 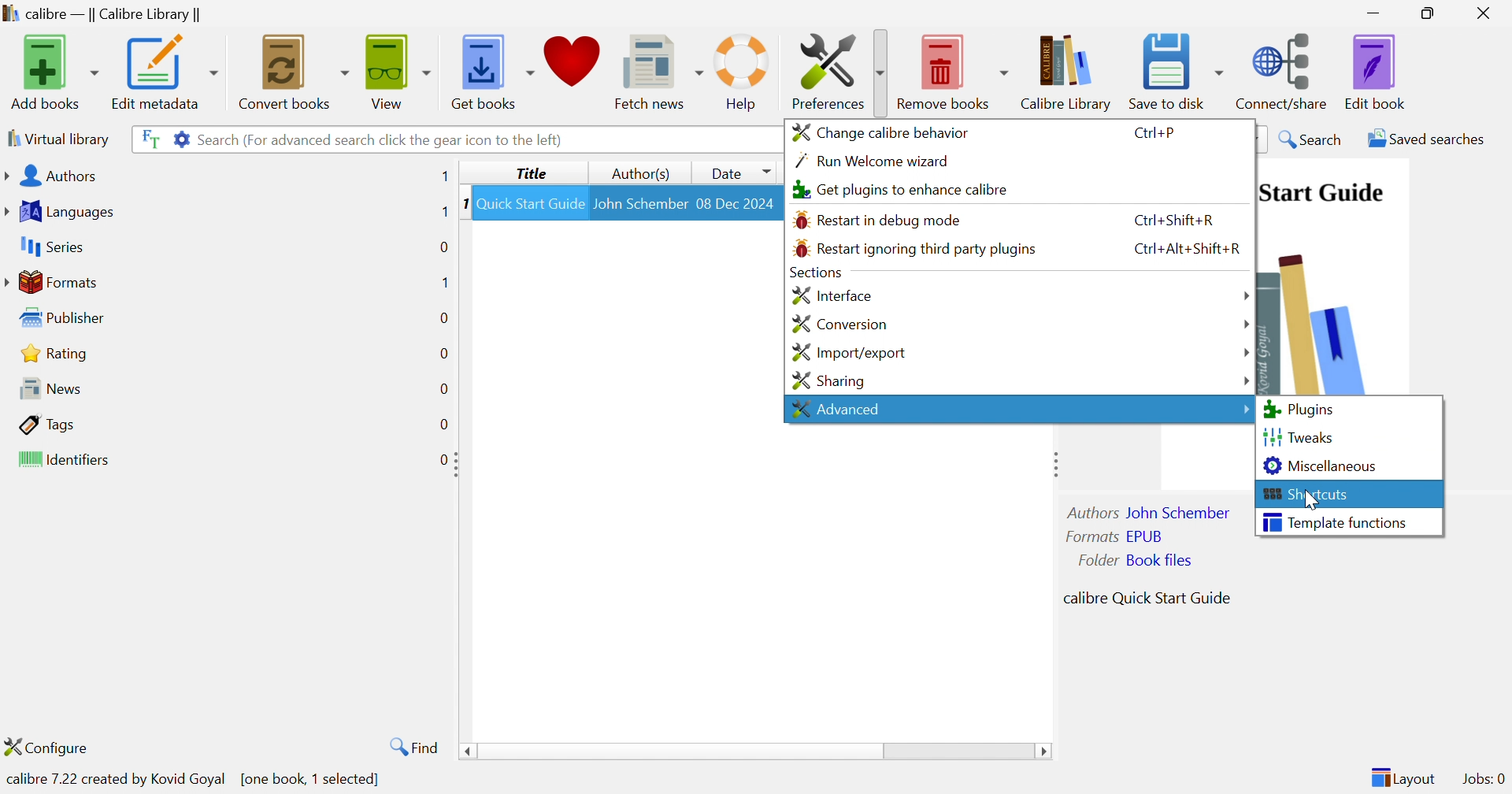 I want to click on 0, so click(x=443, y=354).